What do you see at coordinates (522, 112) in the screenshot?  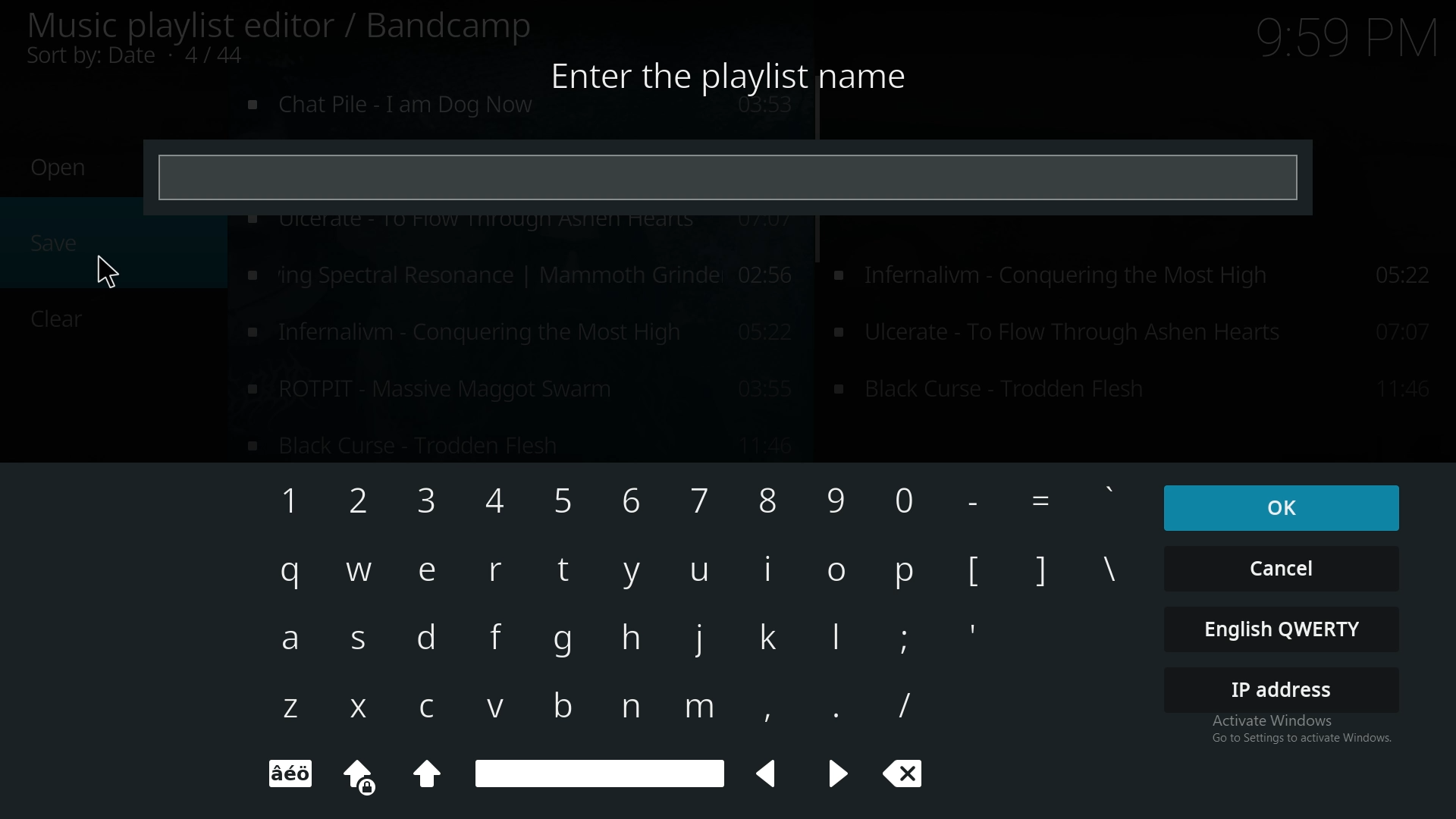 I see `music` at bounding box center [522, 112].